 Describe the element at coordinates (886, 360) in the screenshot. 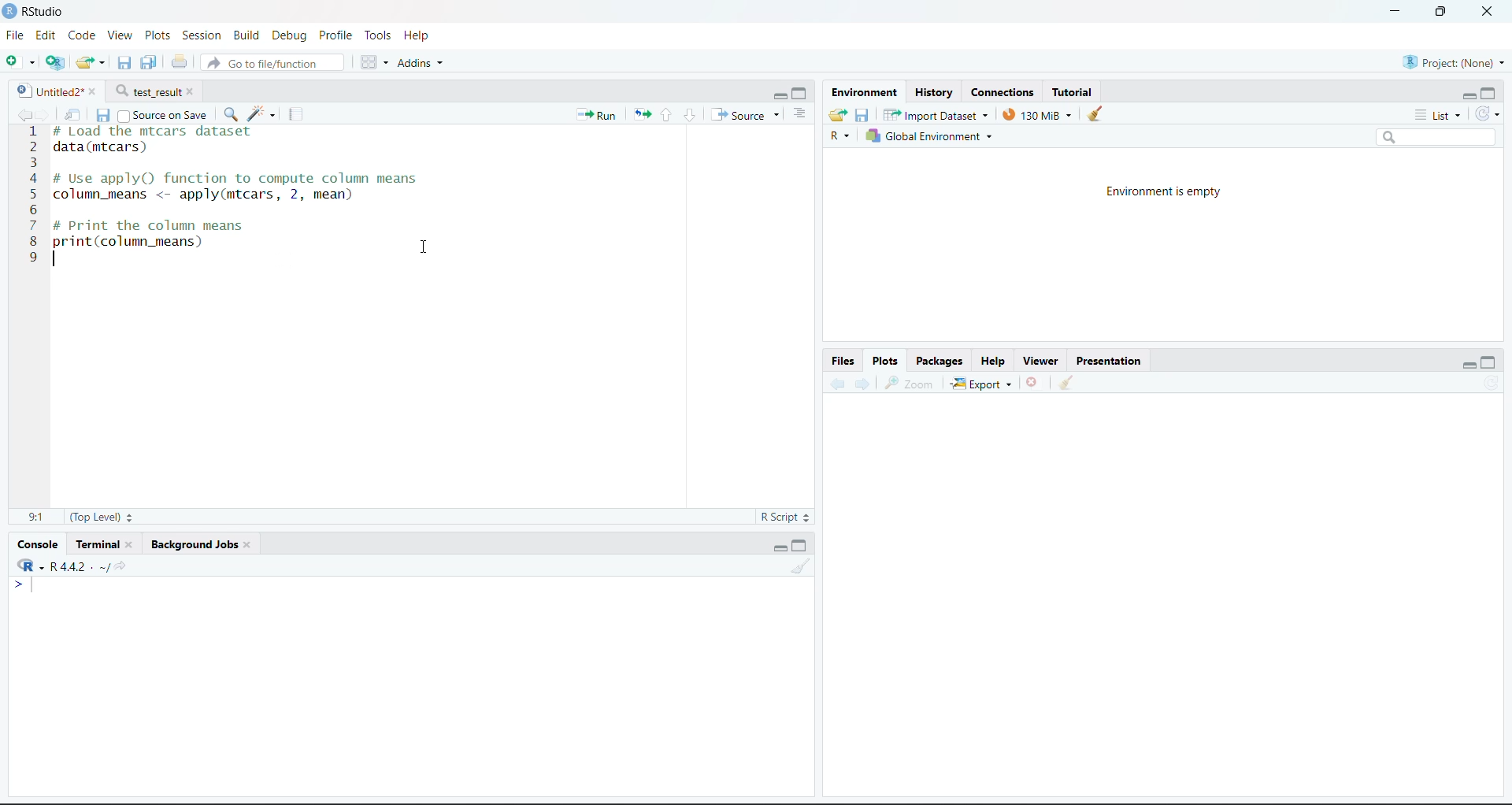

I see `Plots` at that location.